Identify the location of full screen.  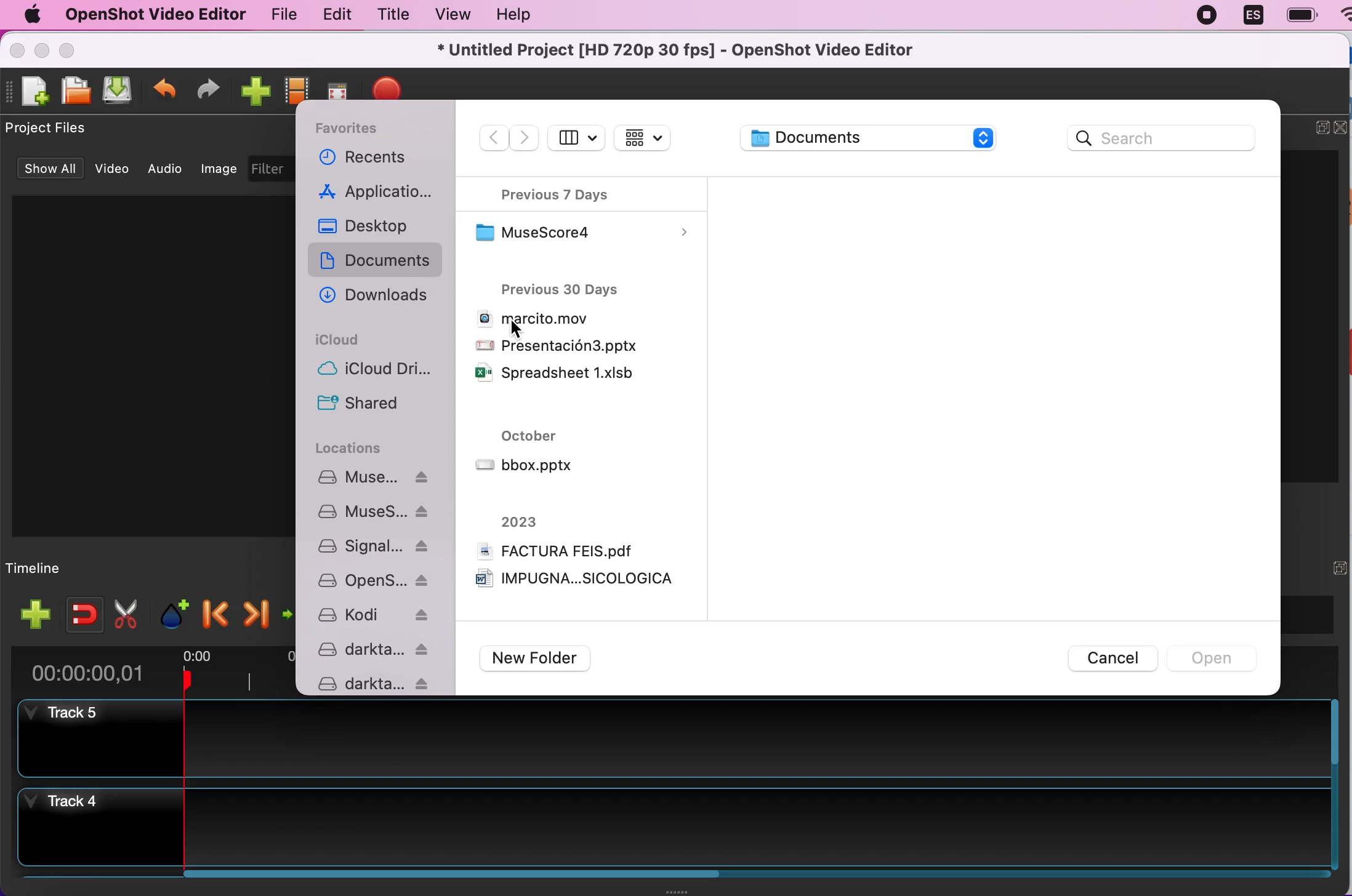
(342, 86).